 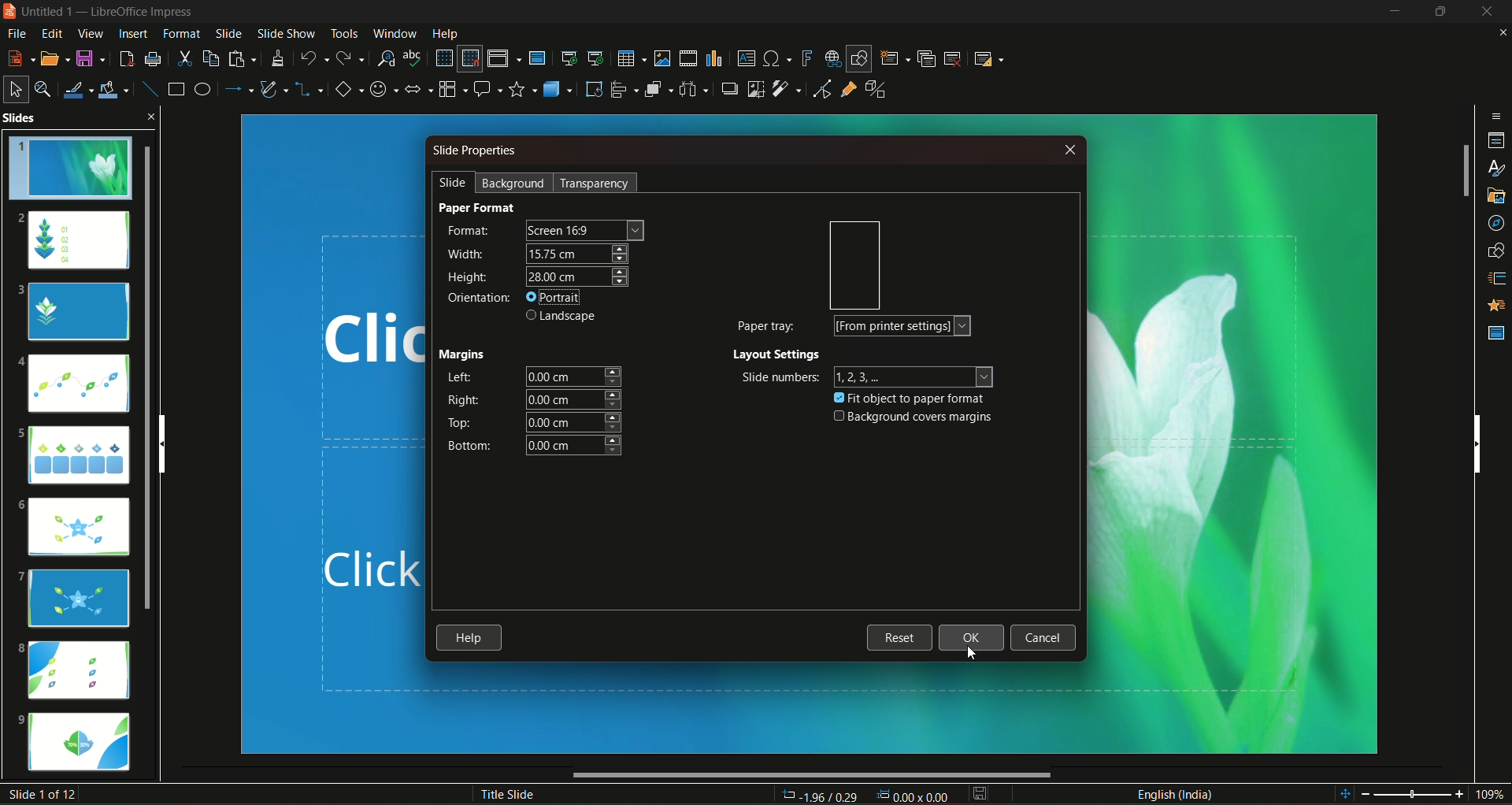 I want to click on start from the current slide, so click(x=596, y=57).